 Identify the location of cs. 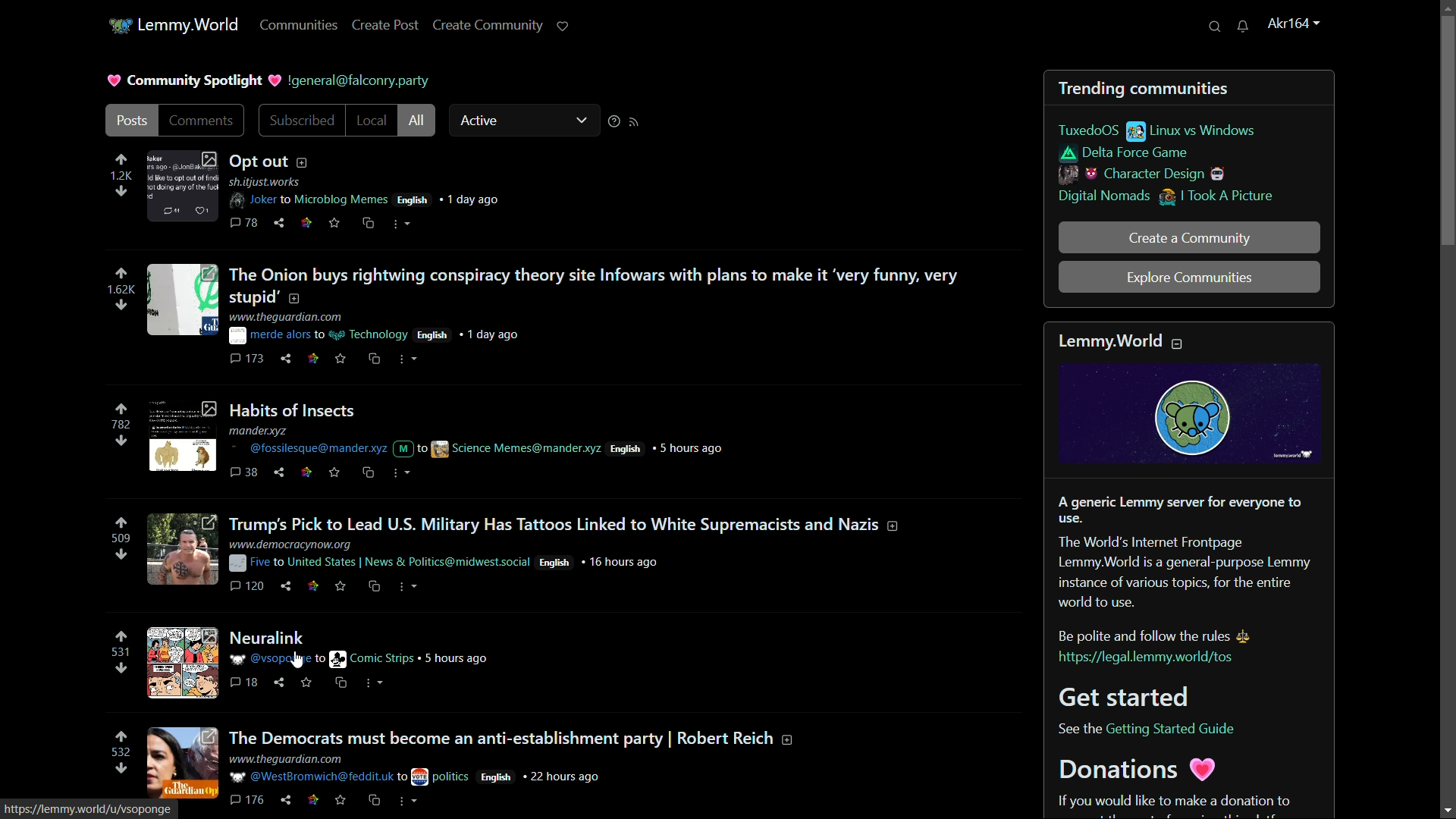
(341, 682).